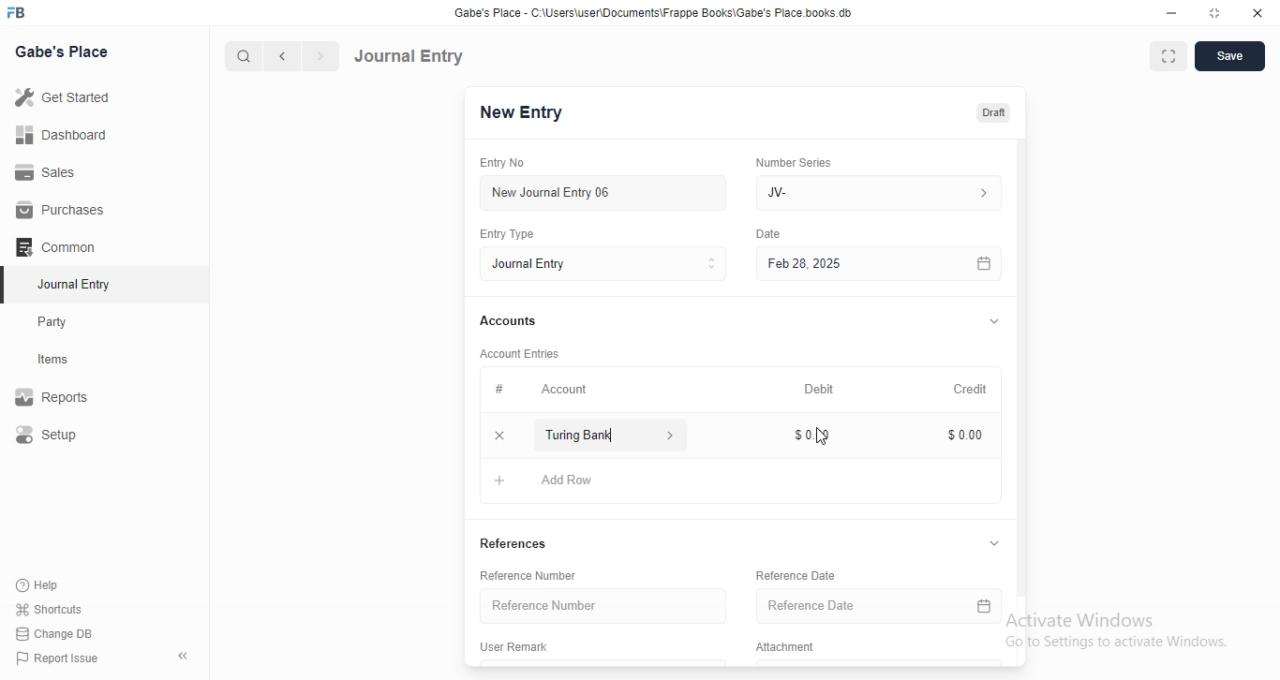  What do you see at coordinates (67, 97) in the screenshot?
I see `Get Started` at bounding box center [67, 97].